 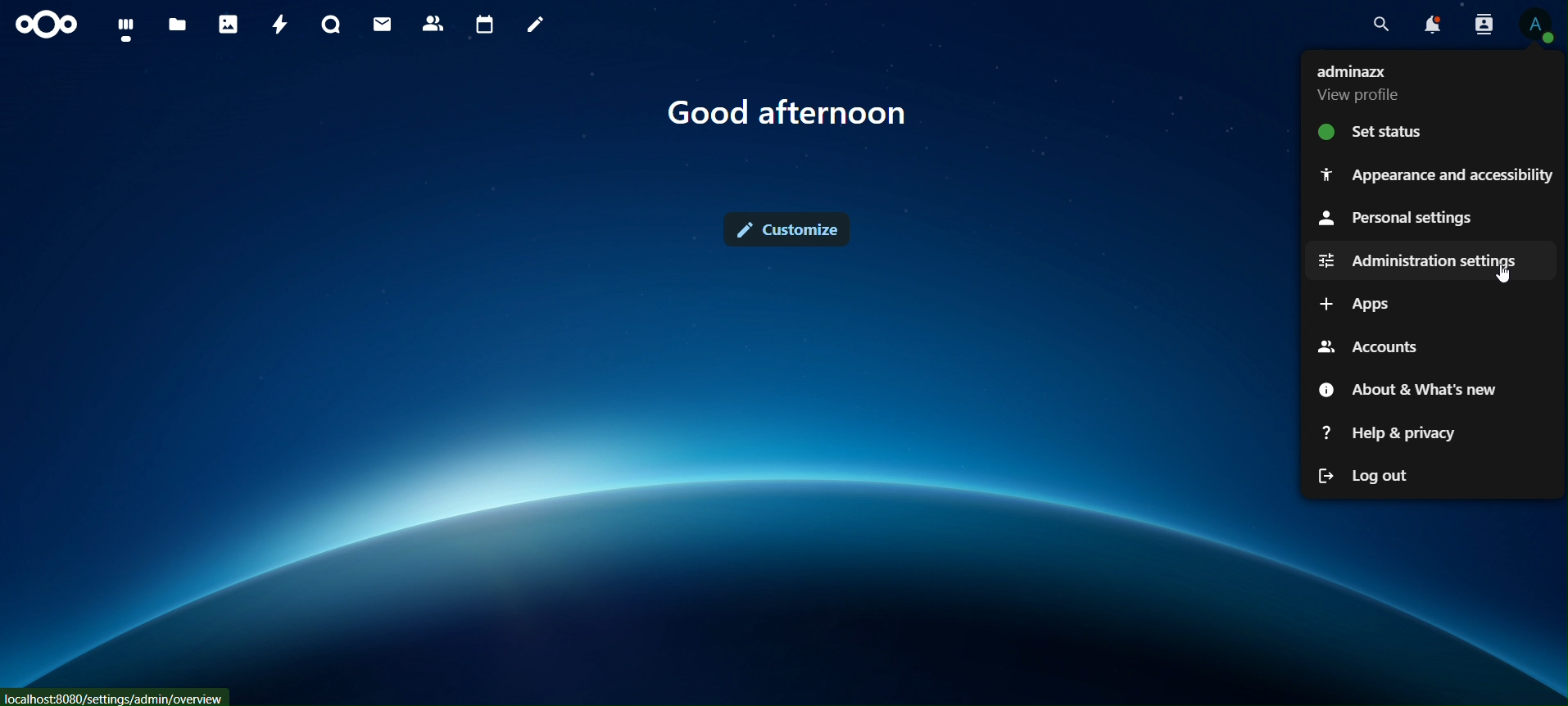 What do you see at coordinates (1388, 82) in the screenshot?
I see `view profile` at bounding box center [1388, 82].